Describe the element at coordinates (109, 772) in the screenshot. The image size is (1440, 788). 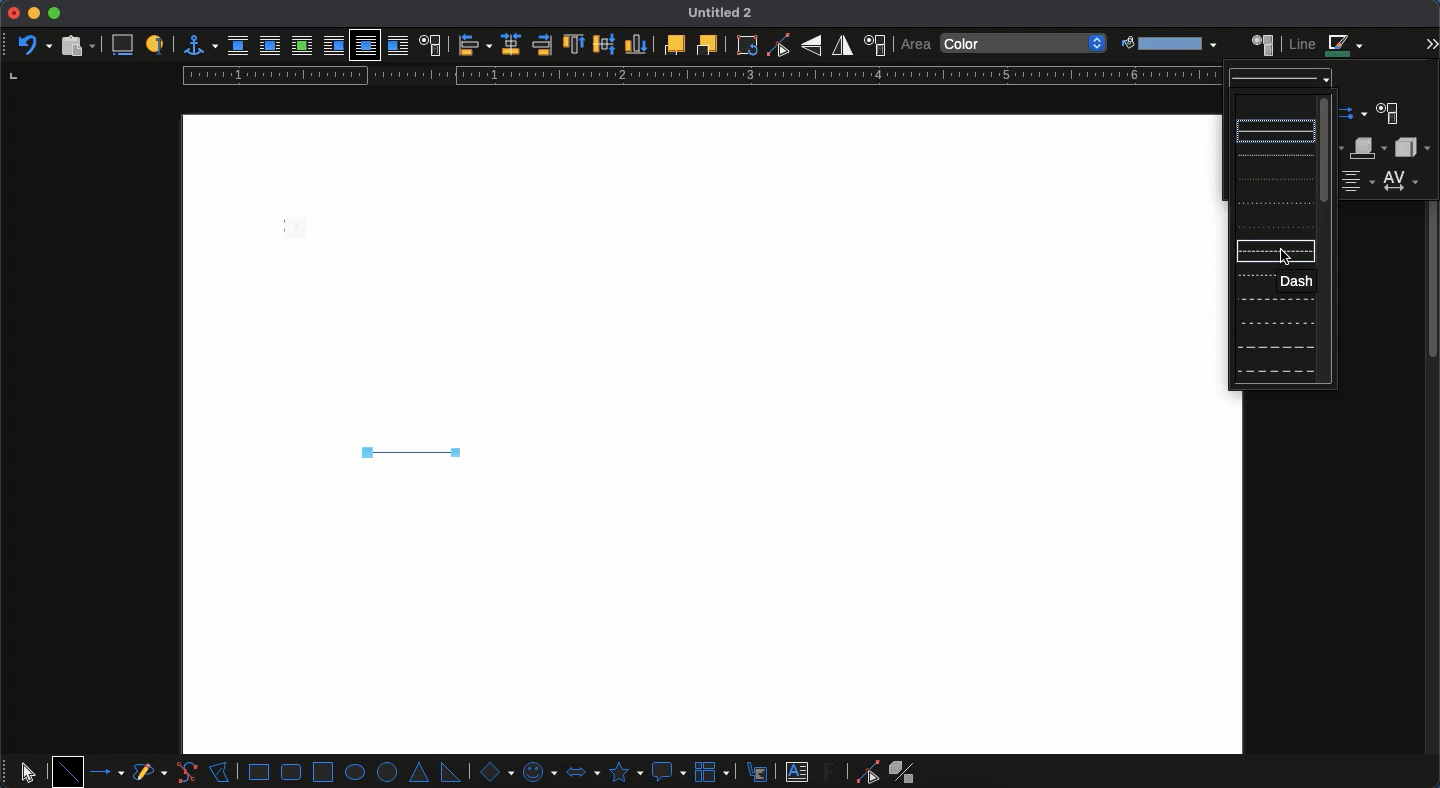
I see `lines and arrows` at that location.